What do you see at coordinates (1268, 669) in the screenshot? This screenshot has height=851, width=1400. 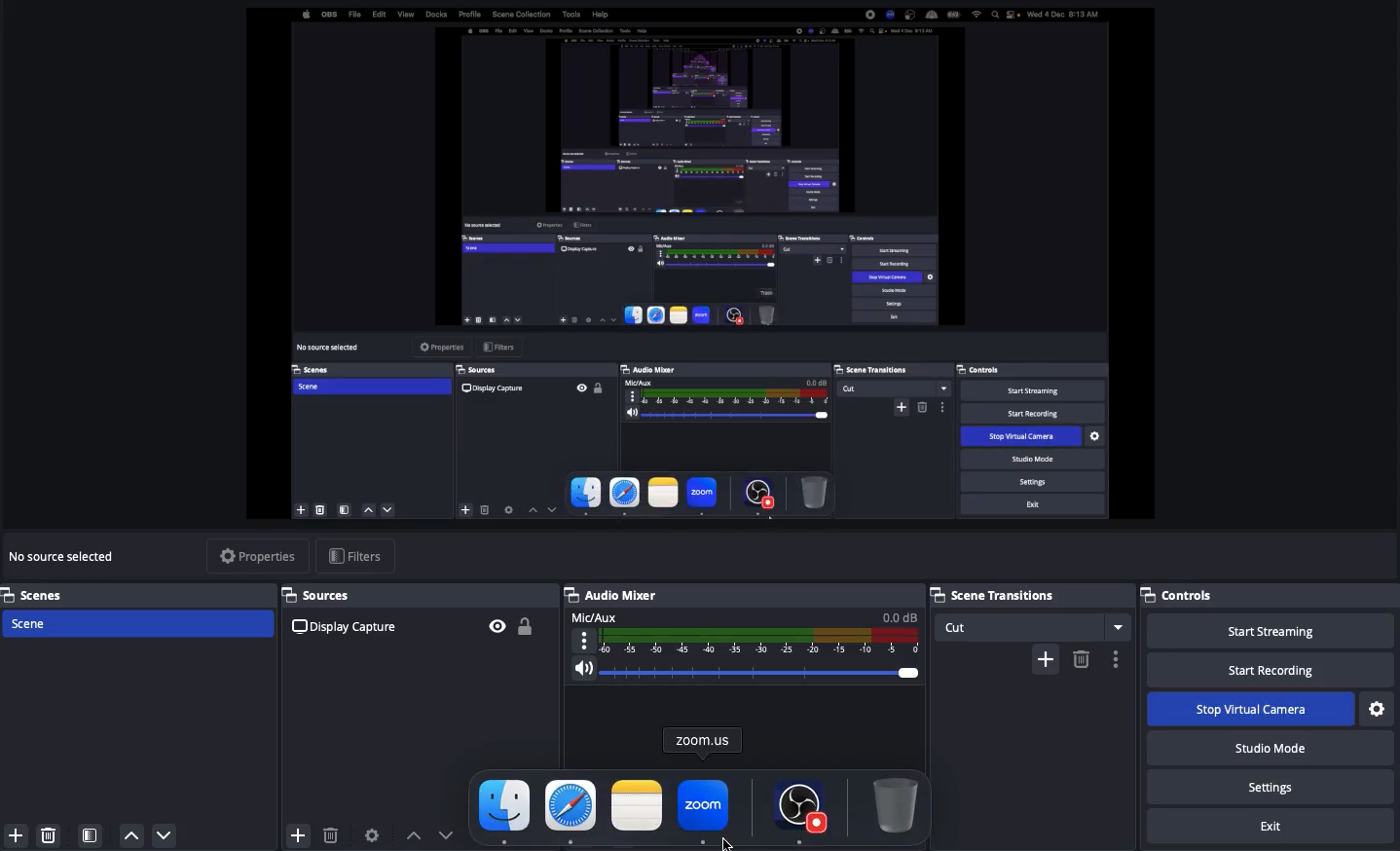 I see `Start recording` at bounding box center [1268, 669].